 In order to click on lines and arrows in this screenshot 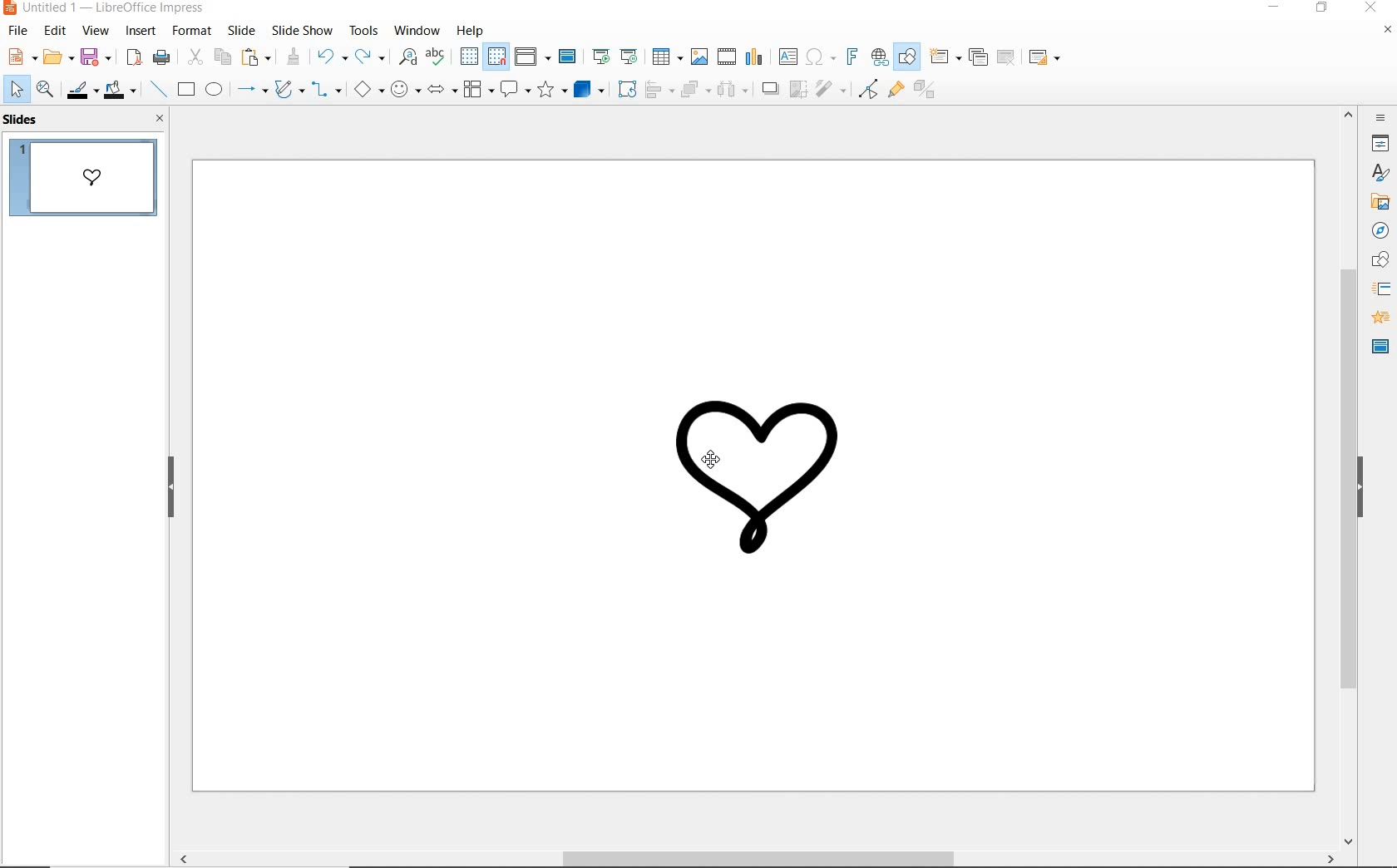, I will do `click(253, 90)`.